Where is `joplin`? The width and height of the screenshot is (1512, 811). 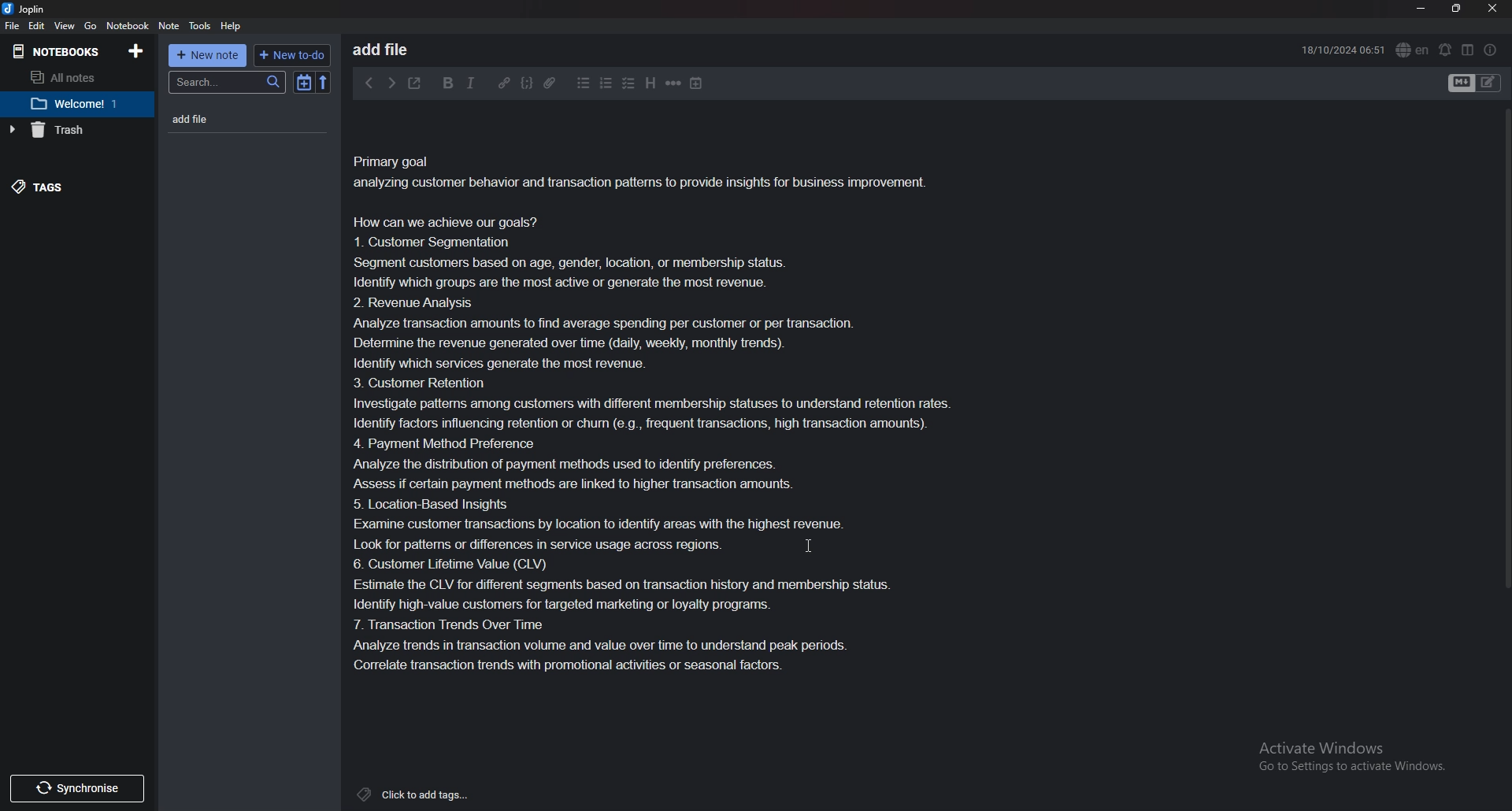
joplin is located at coordinates (26, 9).